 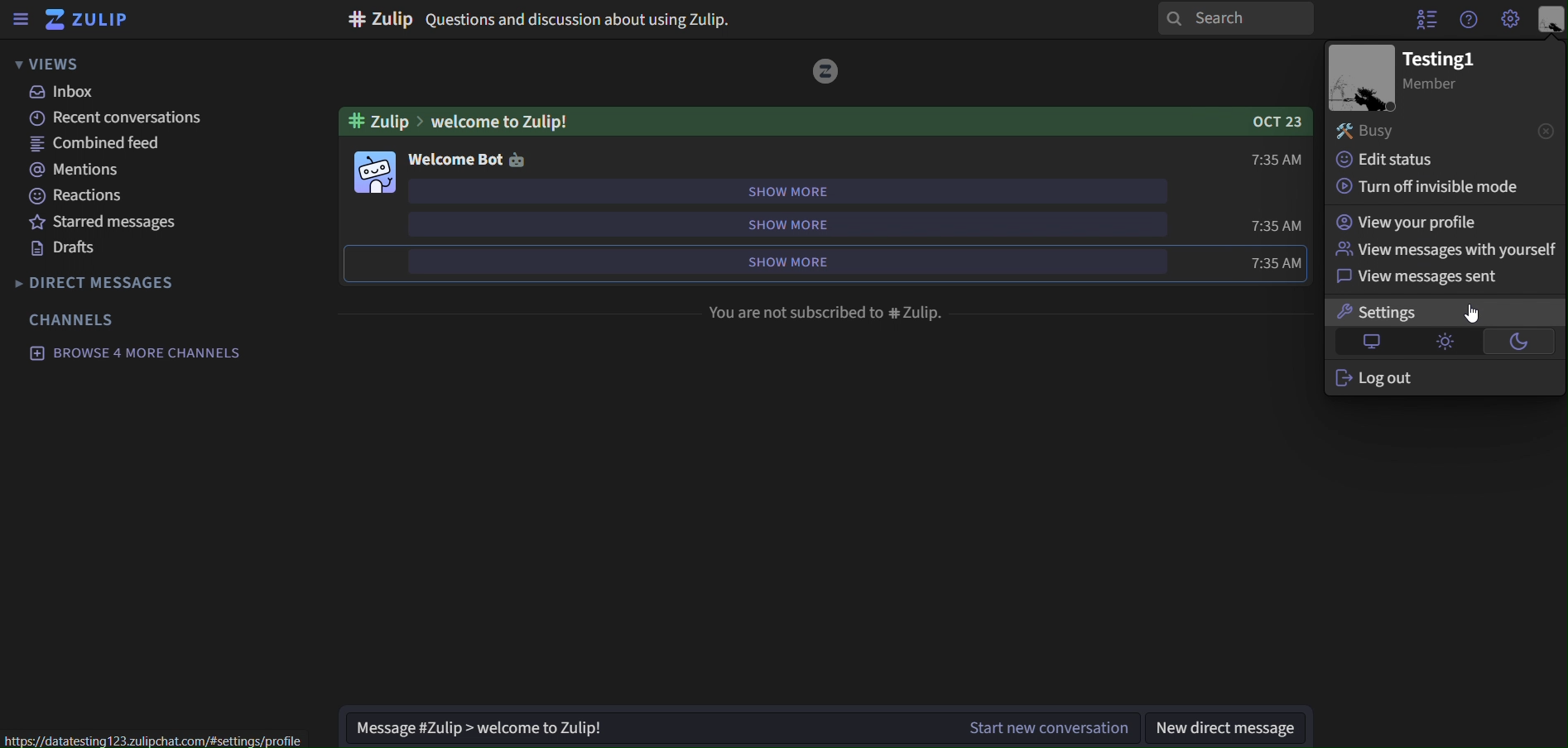 I want to click on new direct message, so click(x=1231, y=722).